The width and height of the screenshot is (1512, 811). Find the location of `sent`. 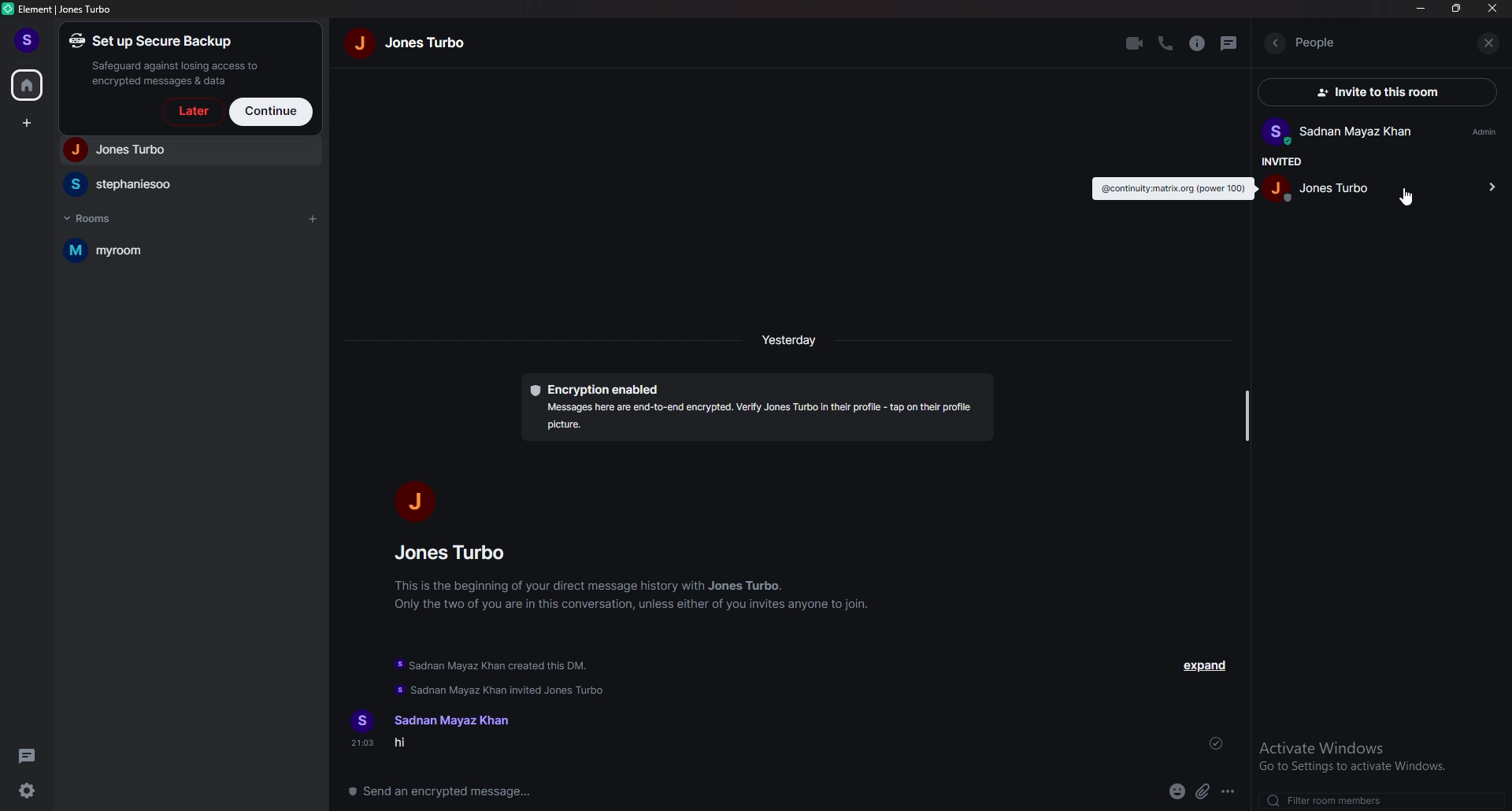

sent is located at coordinates (1216, 743).